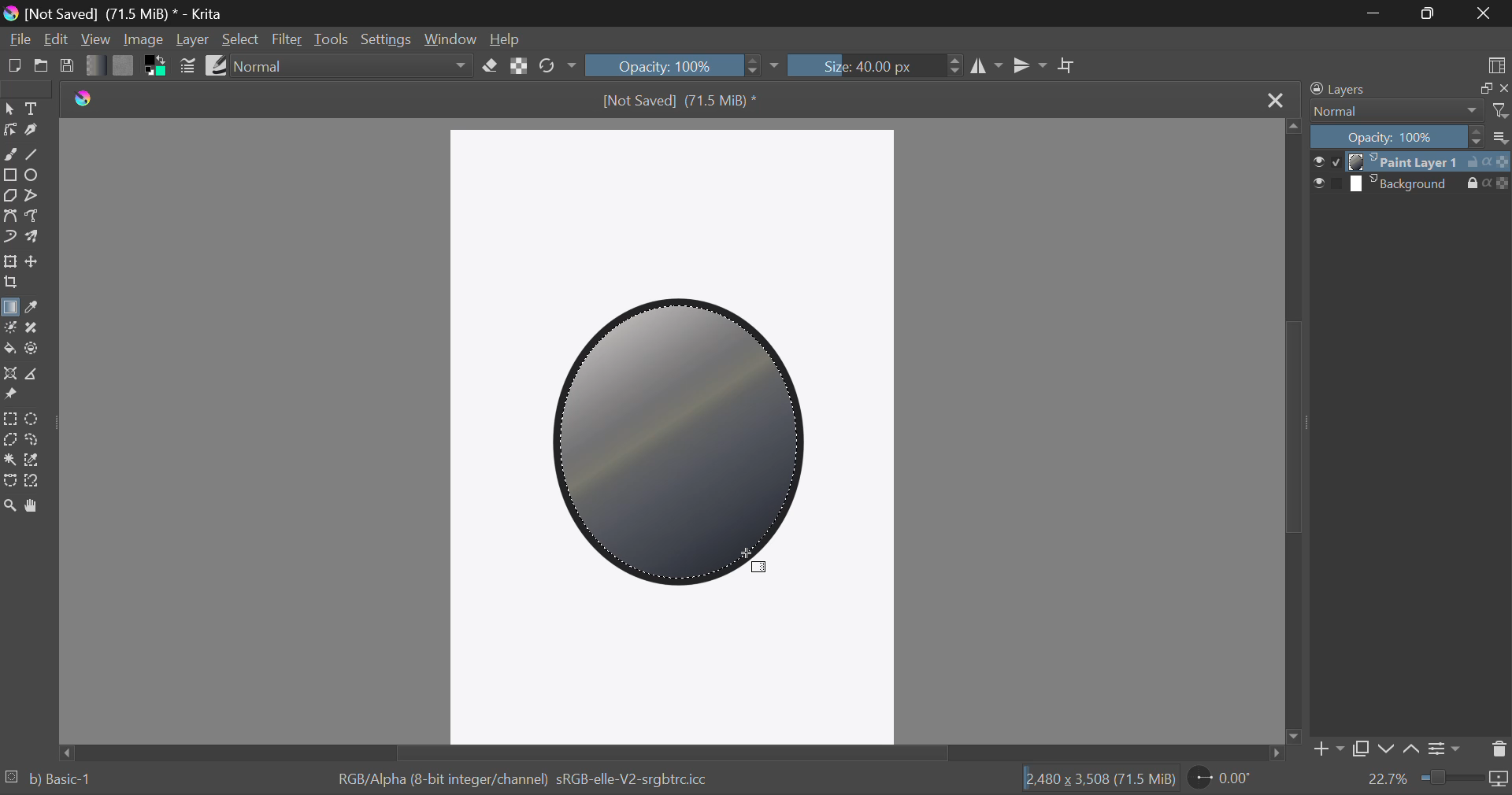  Describe the element at coordinates (10, 350) in the screenshot. I see `Fill` at that location.